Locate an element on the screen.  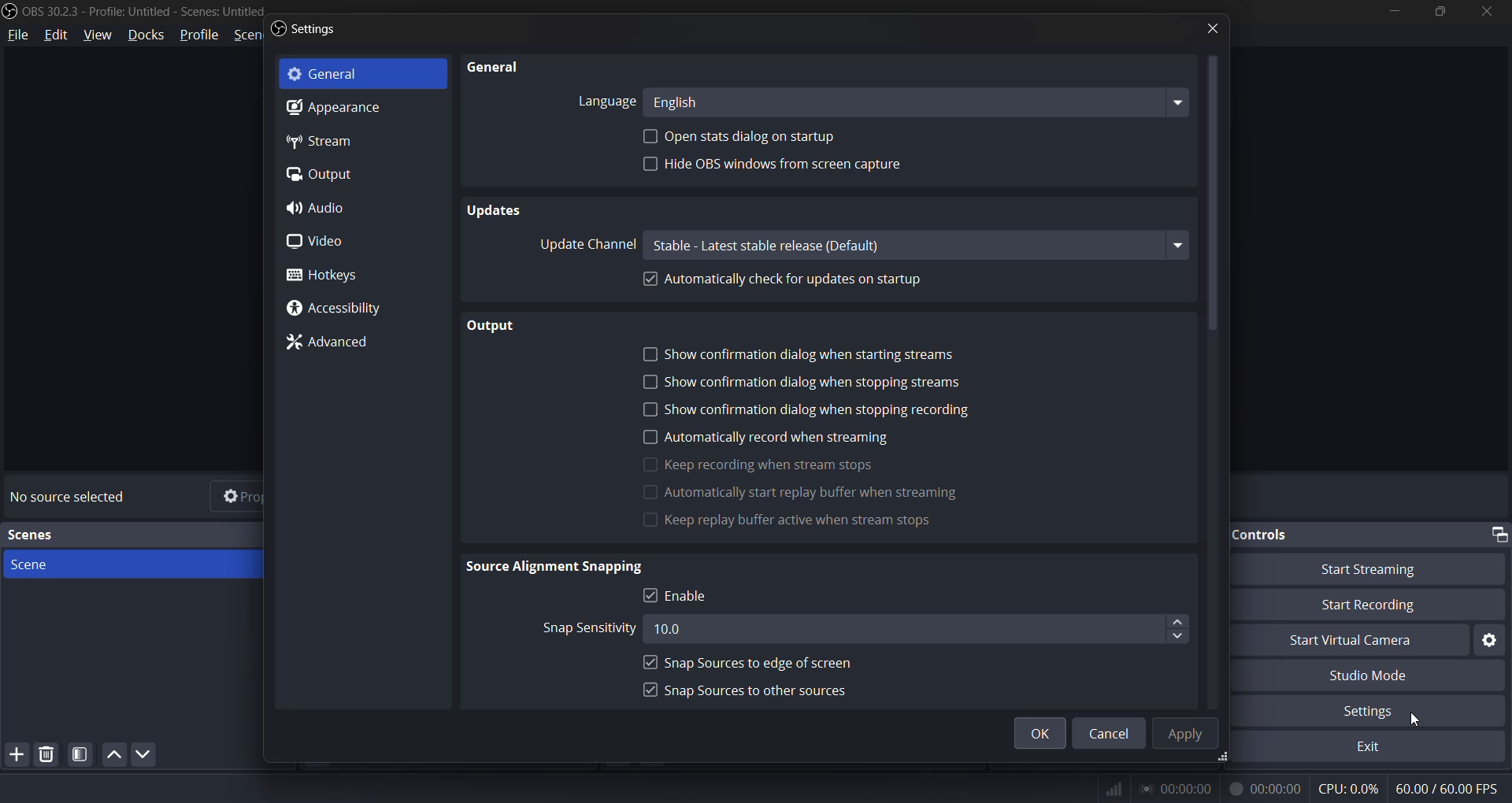
view is located at coordinates (98, 35).